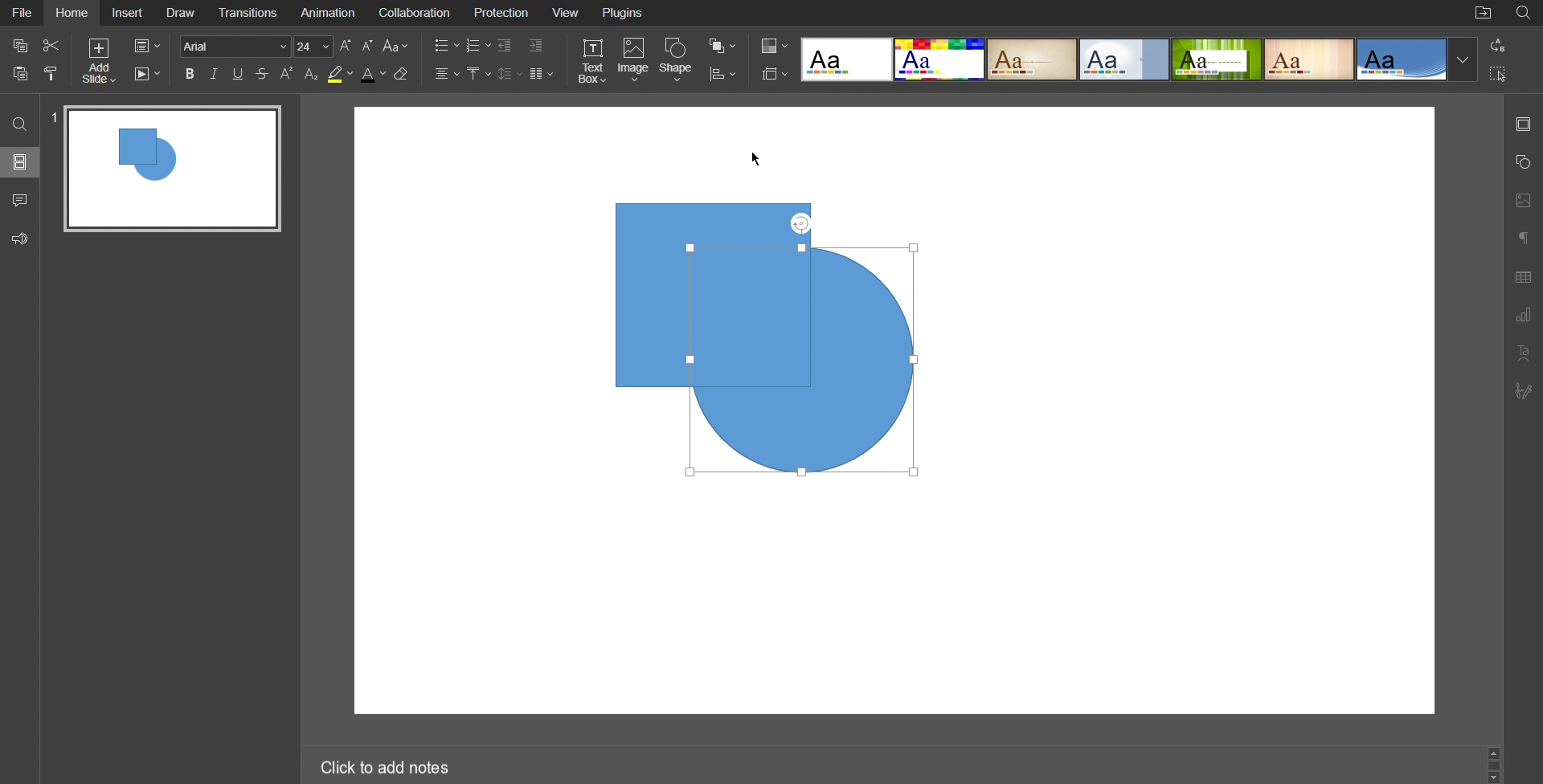  Describe the element at coordinates (249, 13) in the screenshot. I see `Transitions` at that location.